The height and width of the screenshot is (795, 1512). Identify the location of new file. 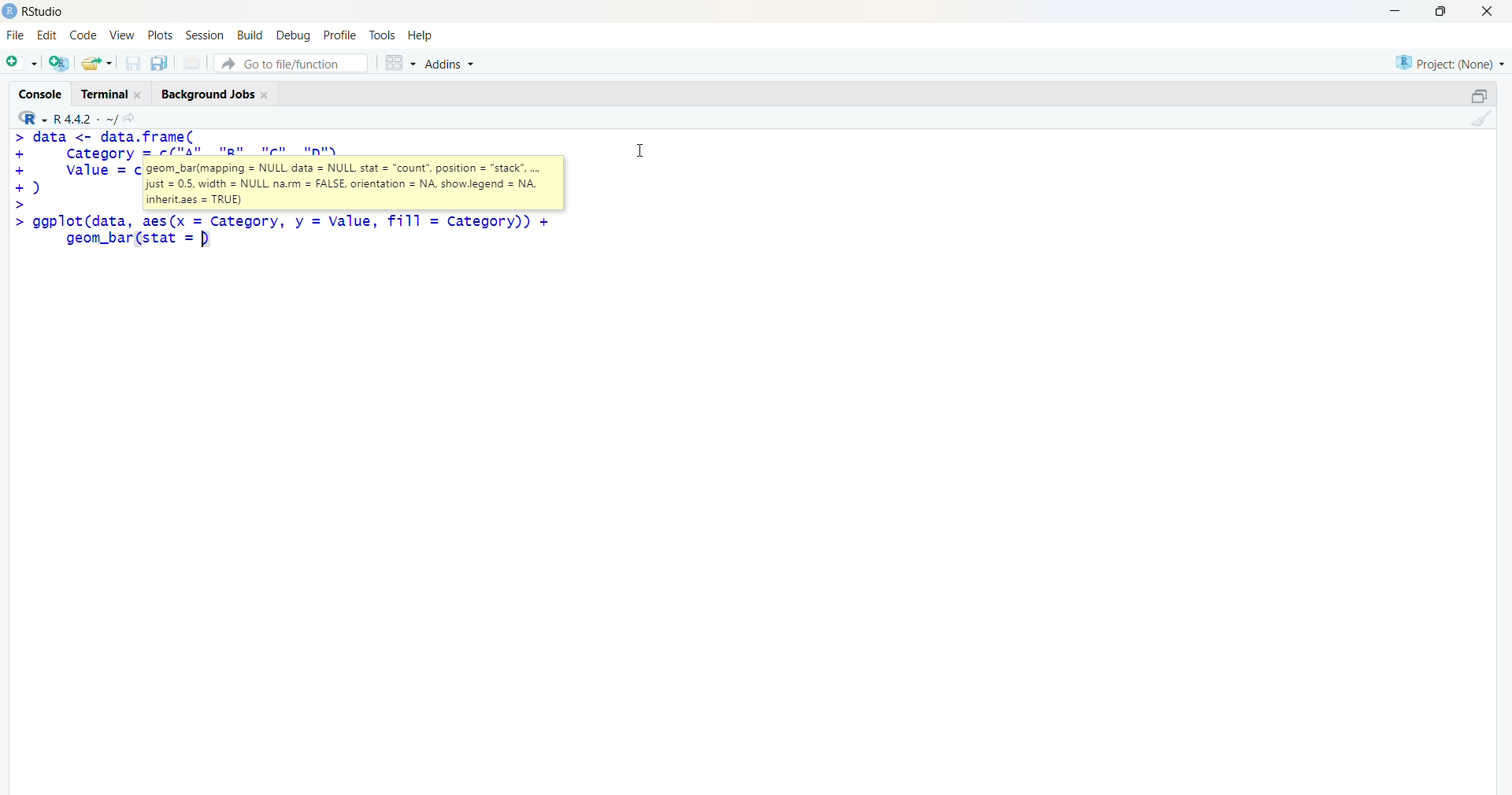
(21, 61).